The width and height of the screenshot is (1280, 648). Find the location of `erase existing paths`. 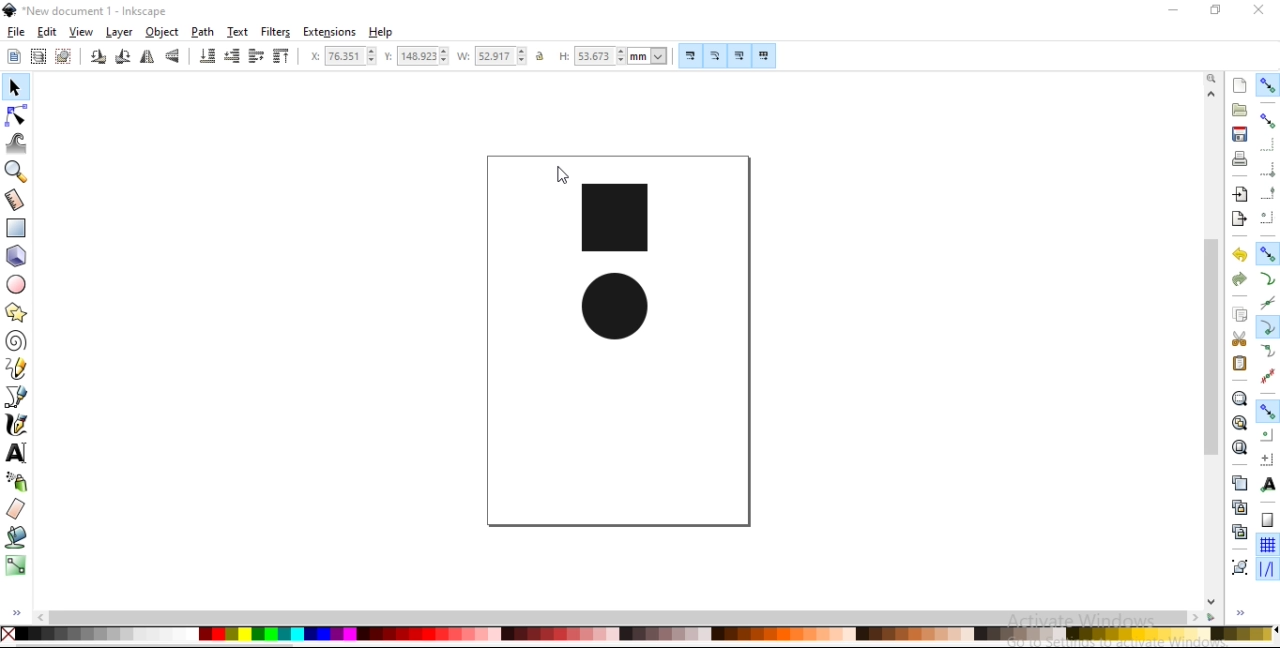

erase existing paths is located at coordinates (17, 510).